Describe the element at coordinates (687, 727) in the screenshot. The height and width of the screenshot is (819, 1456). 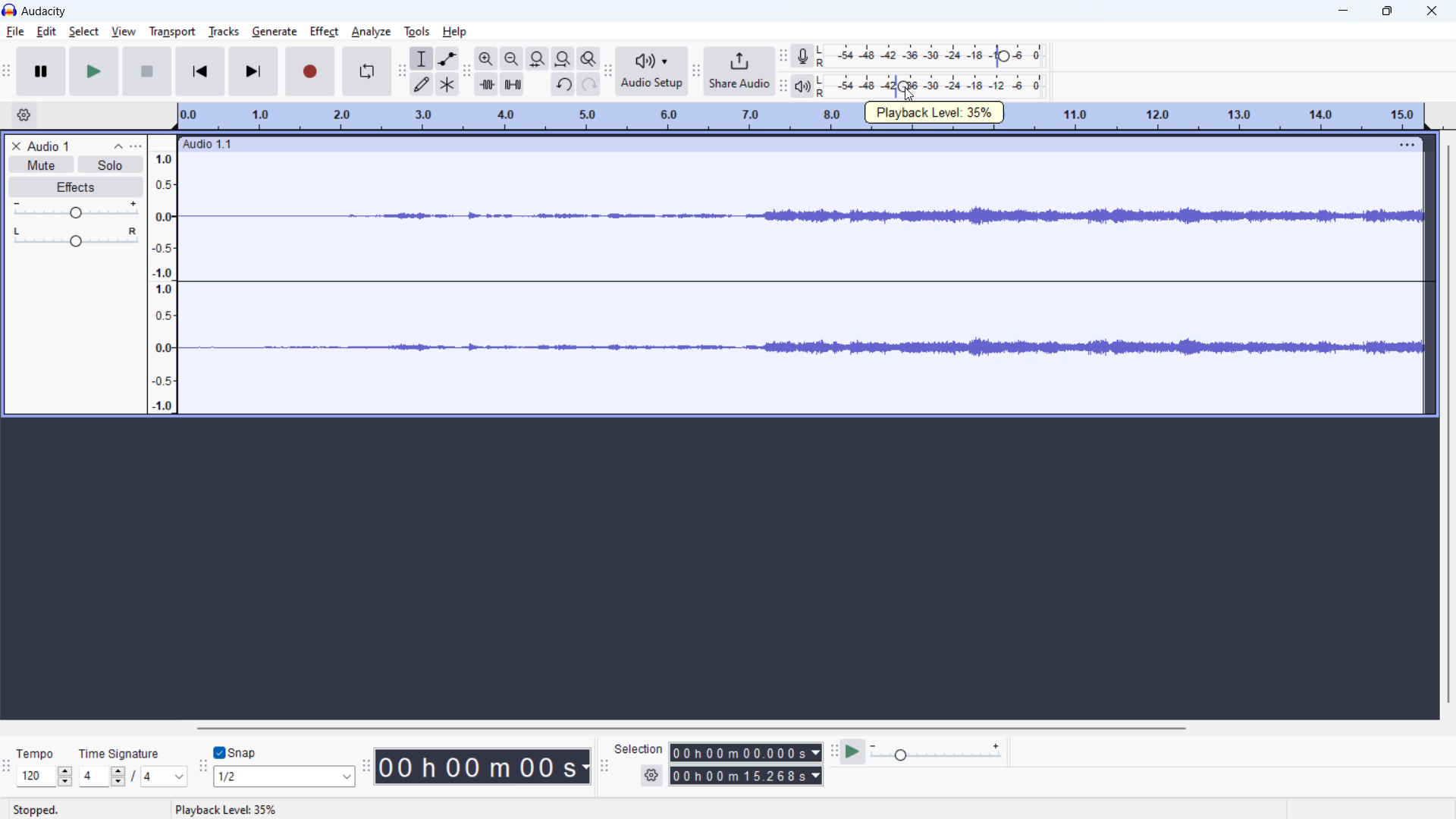
I see `horizontal scrollbar` at that location.